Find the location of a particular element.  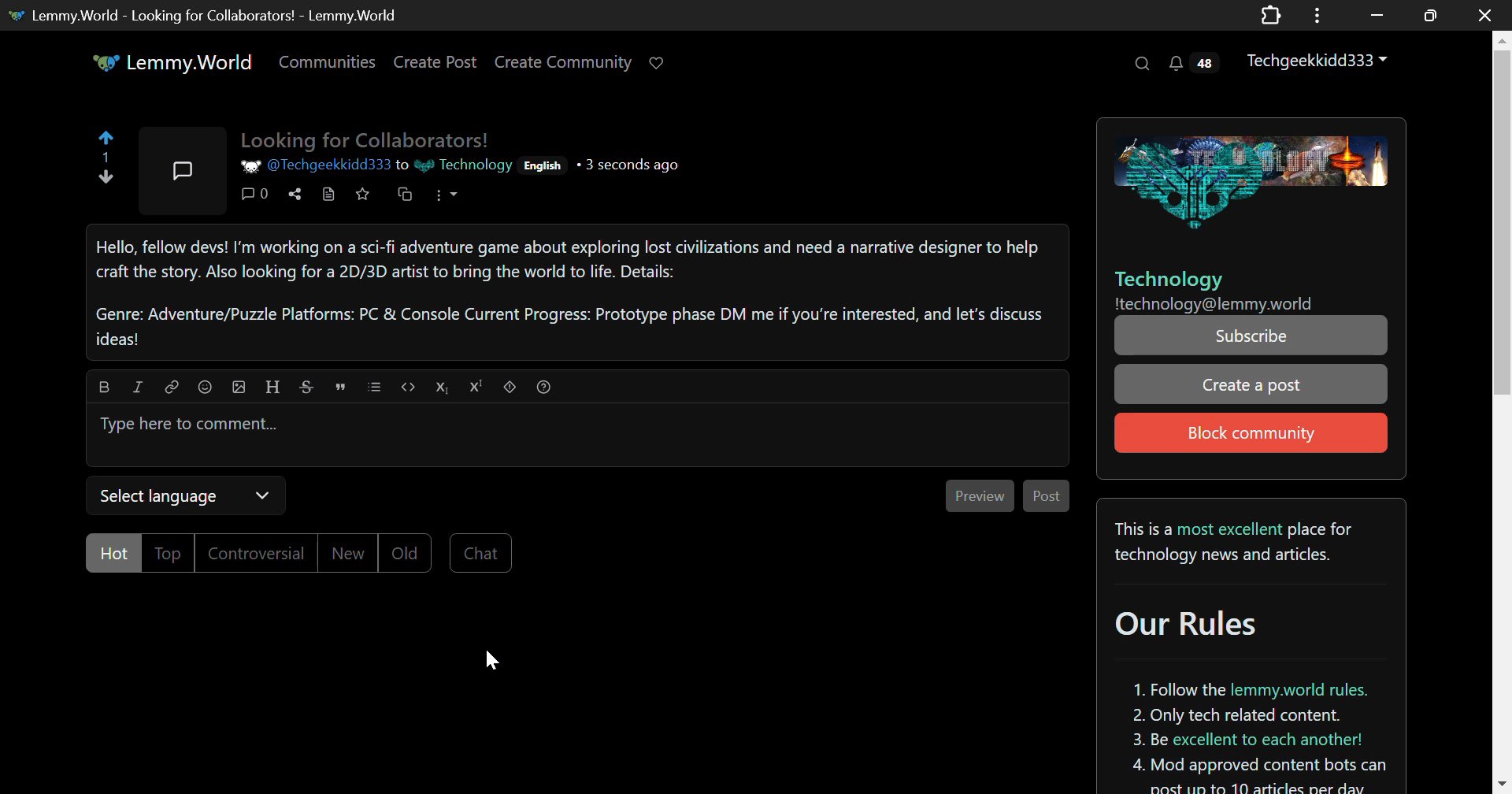

upload image is located at coordinates (239, 386).